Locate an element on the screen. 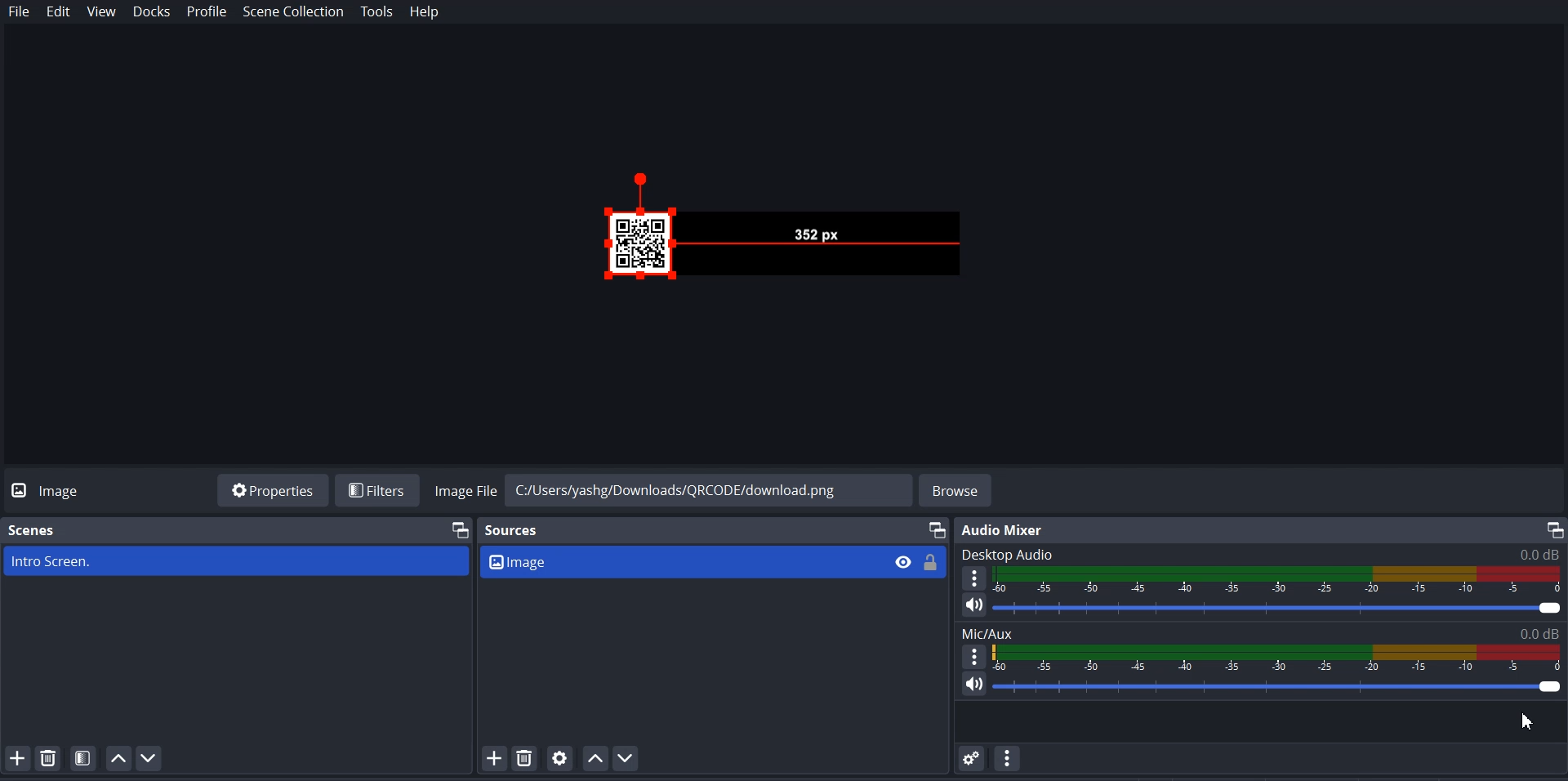 This screenshot has height=781, width=1568. Remove selected Source is located at coordinates (523, 757).